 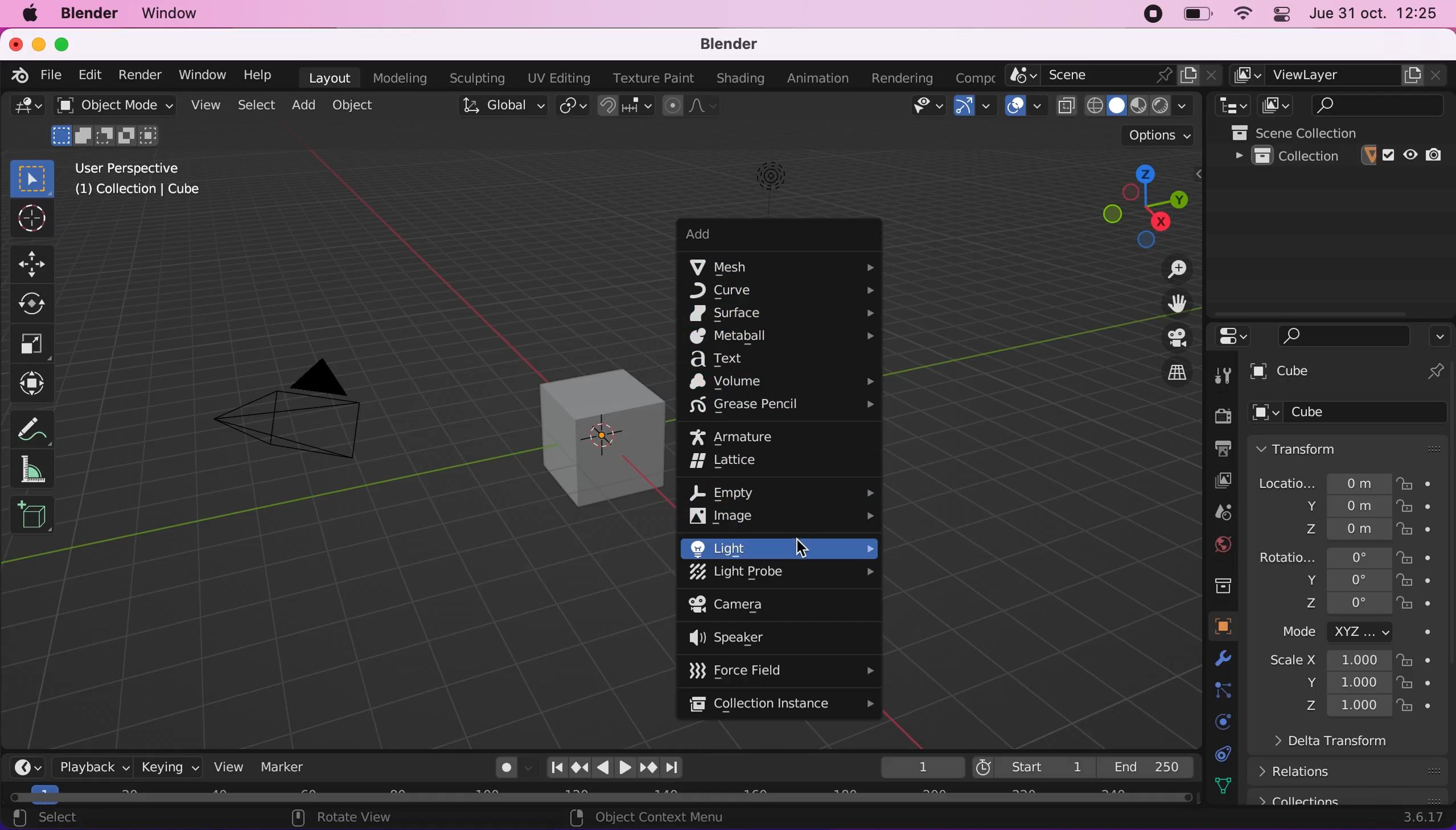 I want to click on keying, so click(x=168, y=765).